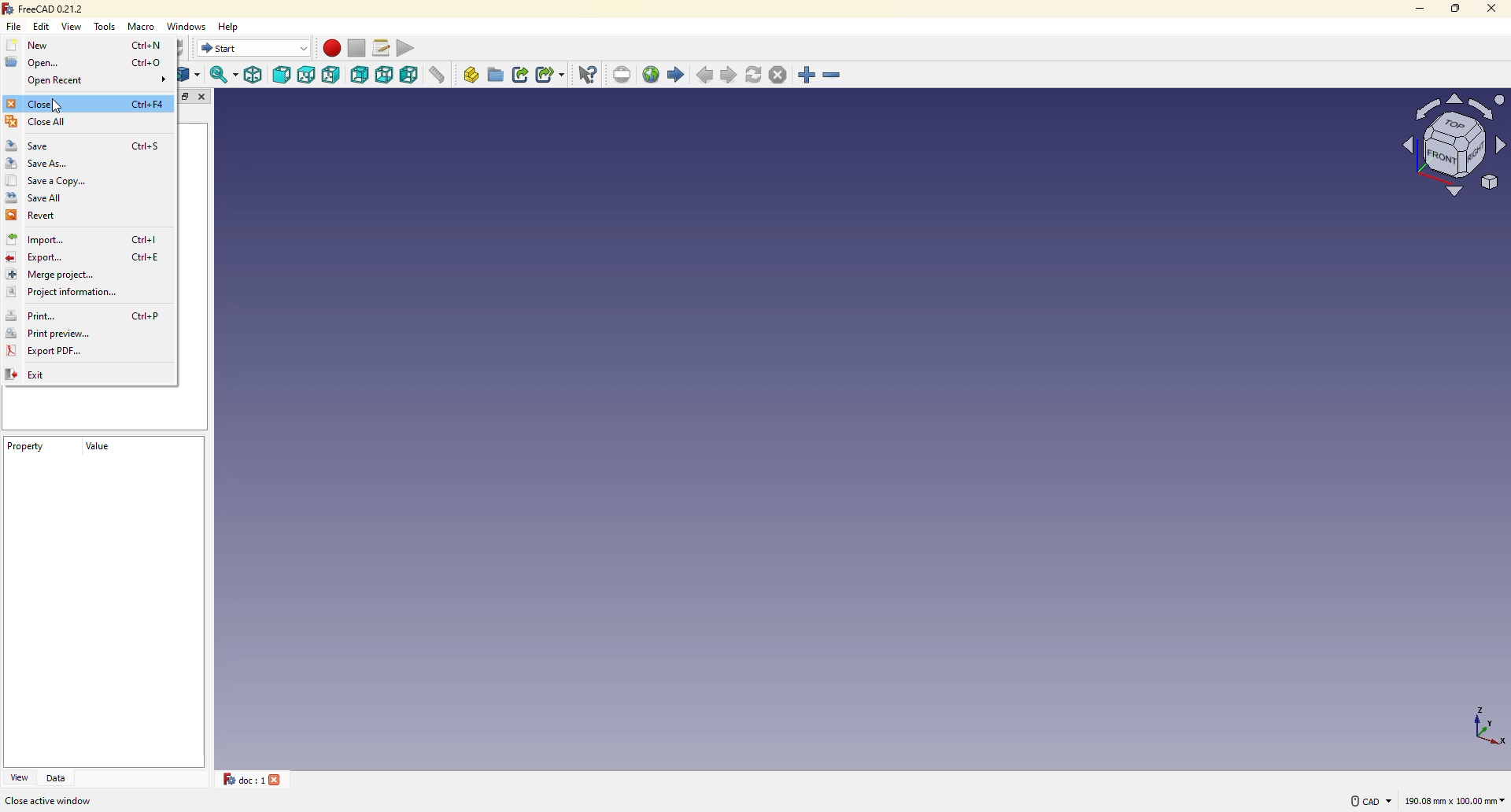  What do you see at coordinates (43, 26) in the screenshot?
I see `edit` at bounding box center [43, 26].